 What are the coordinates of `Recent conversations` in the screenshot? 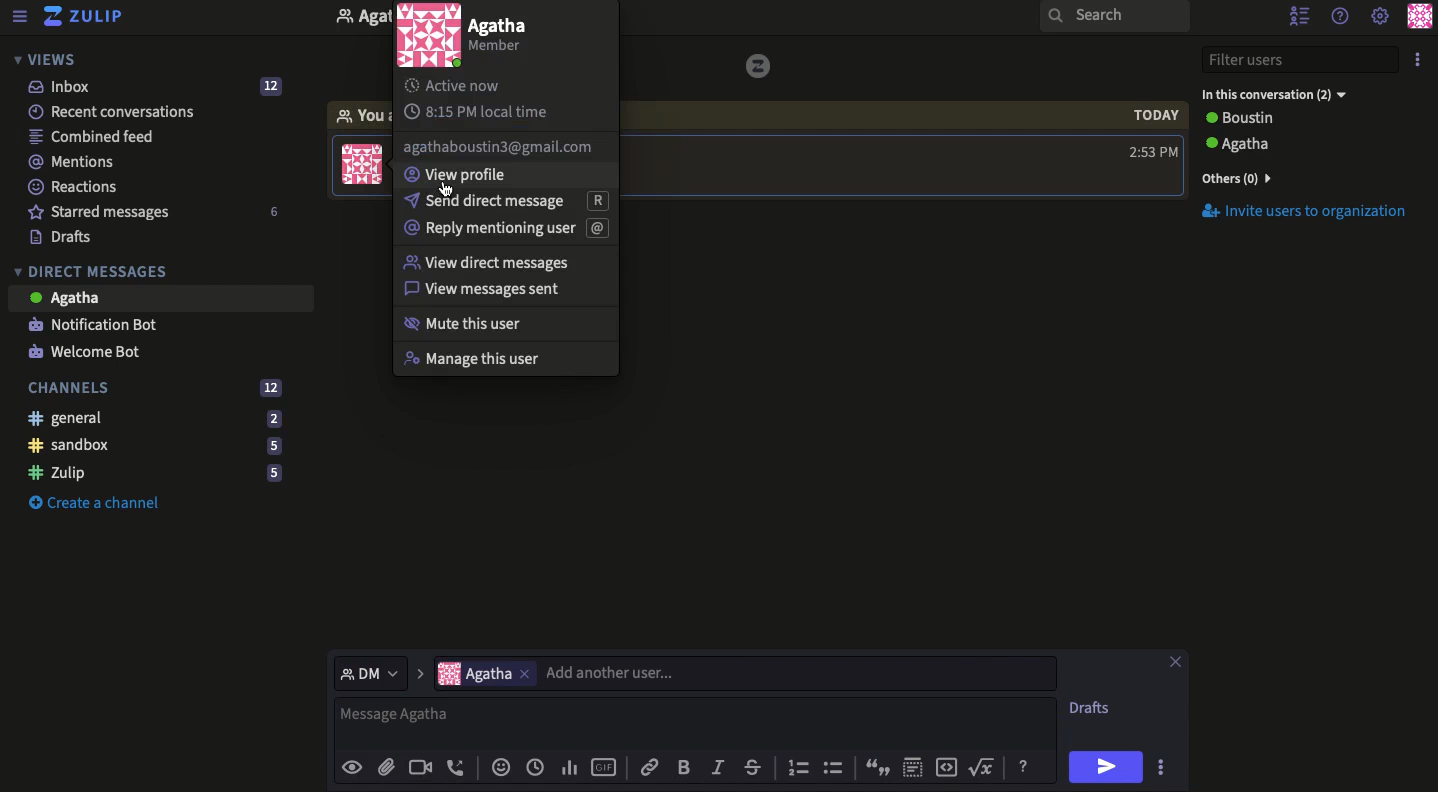 It's located at (119, 111).